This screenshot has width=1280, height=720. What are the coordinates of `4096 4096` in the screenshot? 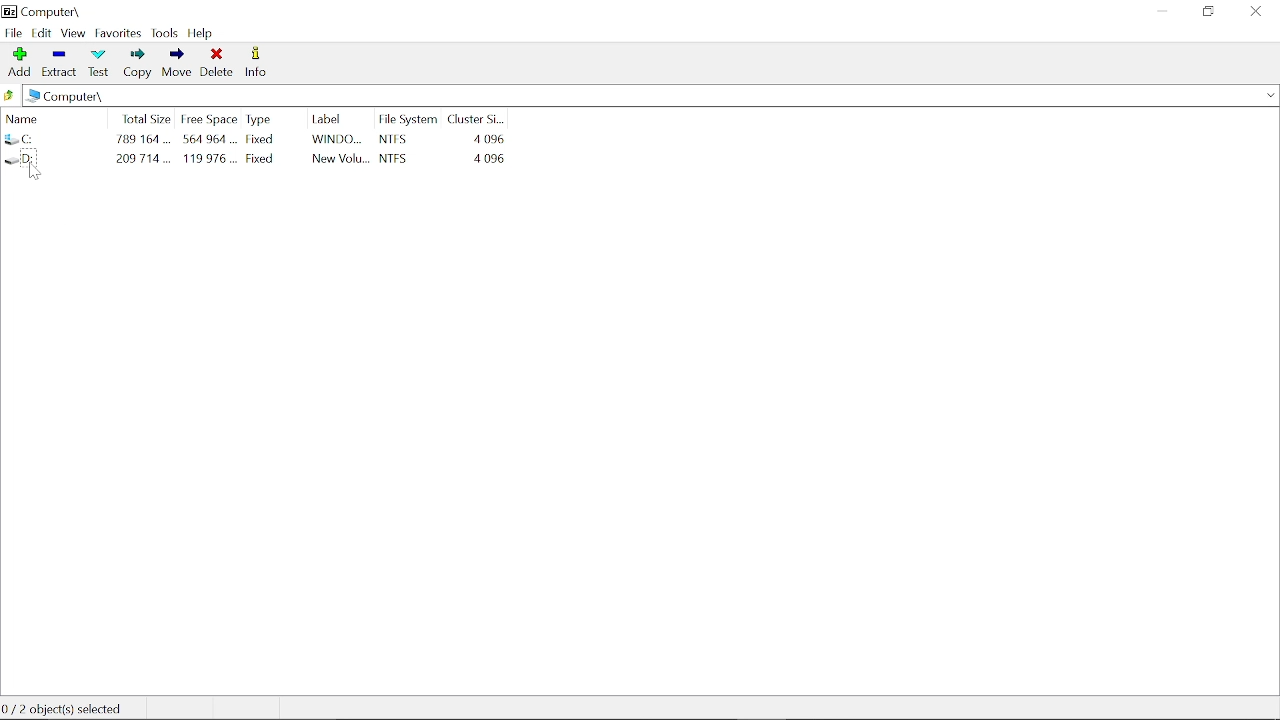 It's located at (487, 148).